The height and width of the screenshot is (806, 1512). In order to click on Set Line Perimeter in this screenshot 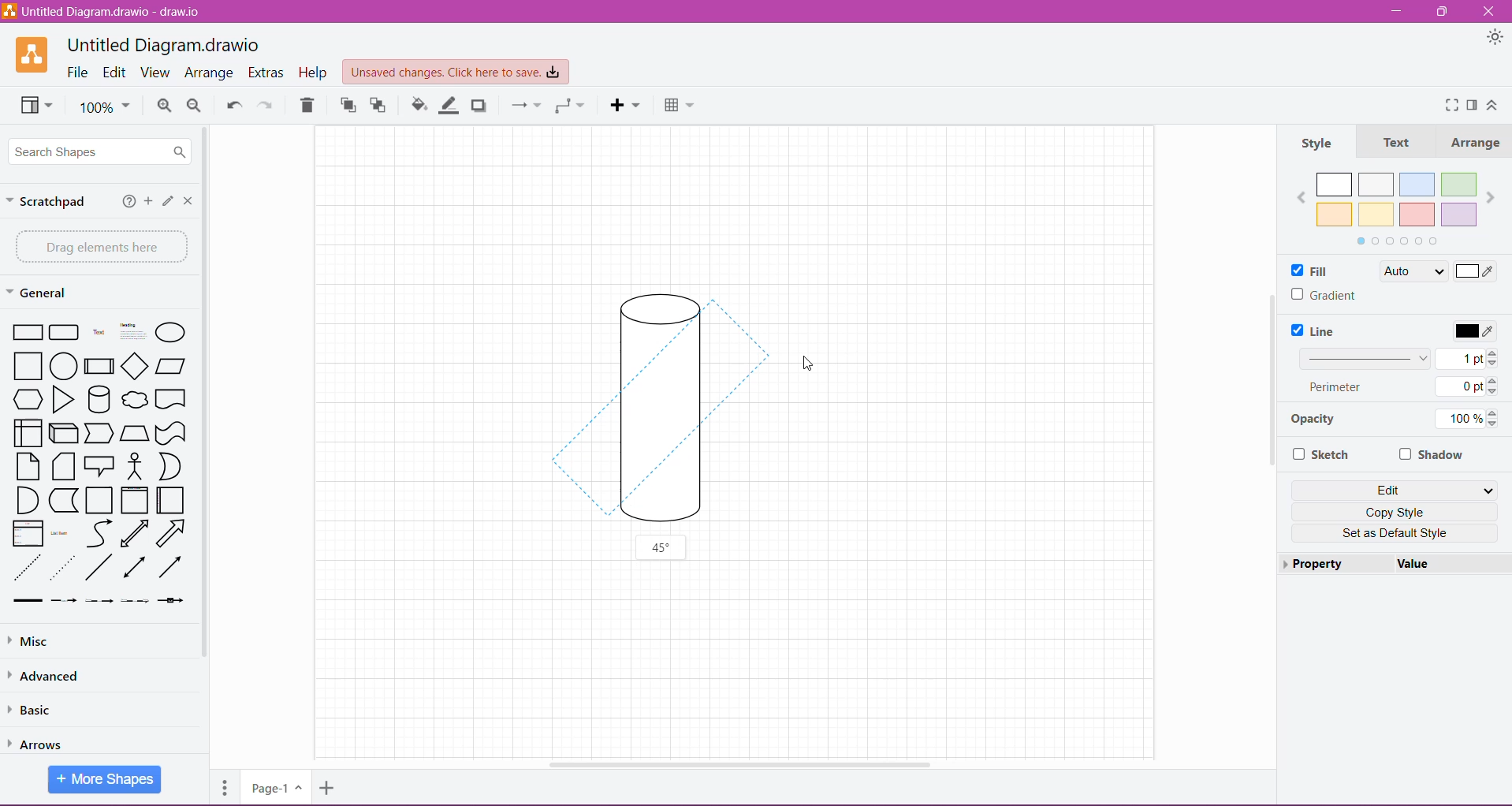, I will do `click(1398, 388)`.